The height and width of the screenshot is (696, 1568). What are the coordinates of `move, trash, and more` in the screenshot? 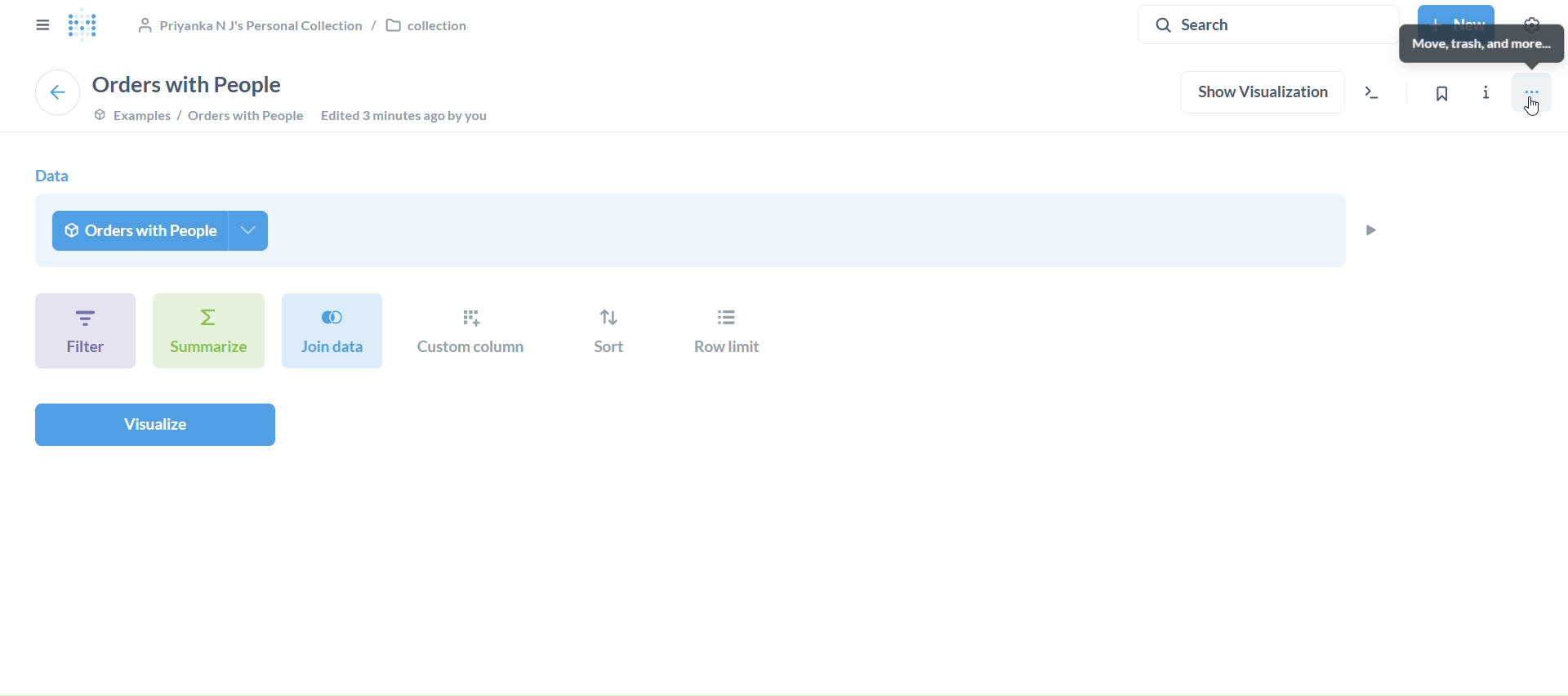 It's located at (1485, 42).